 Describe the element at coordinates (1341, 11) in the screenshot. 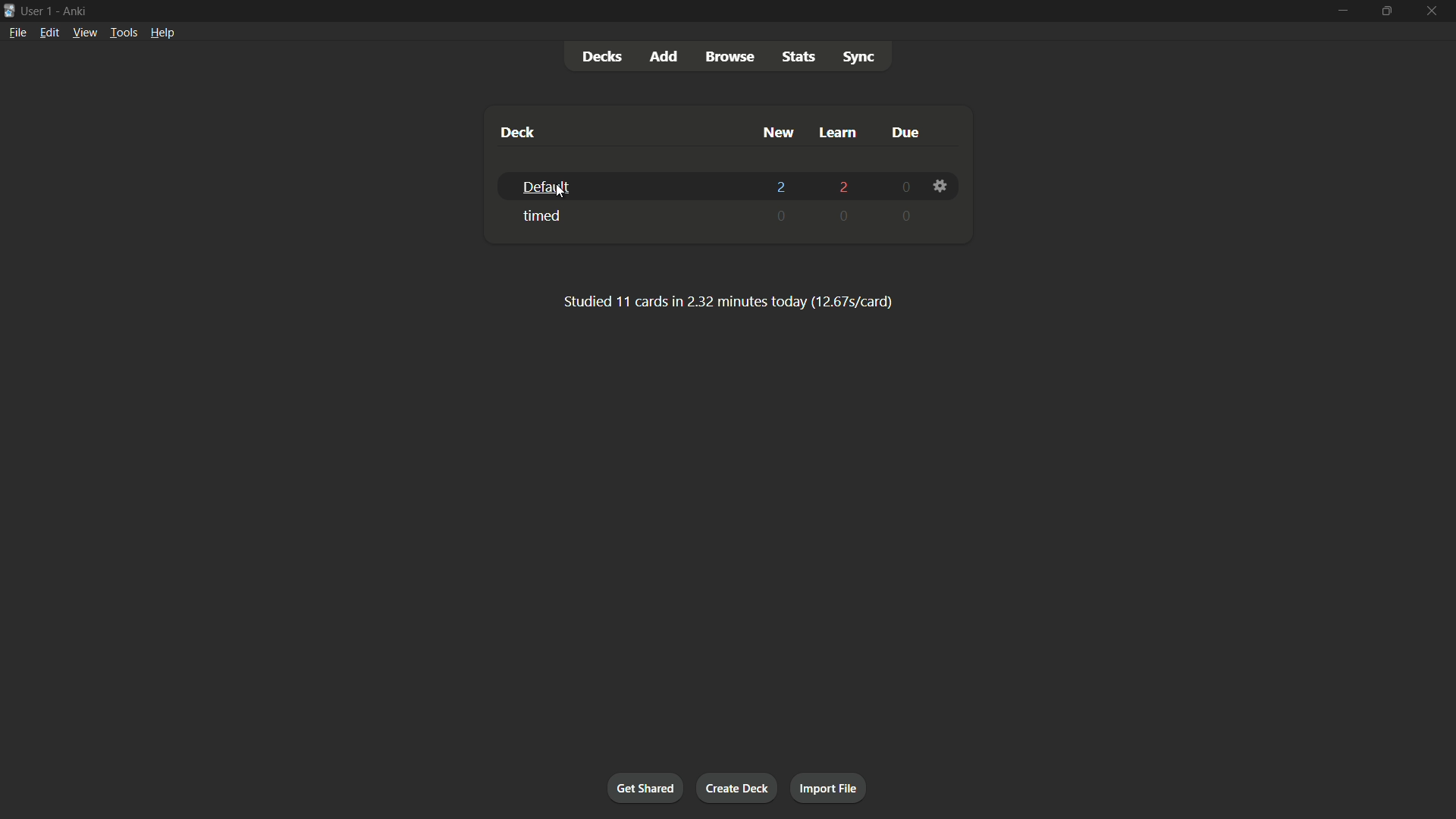

I see `minimize` at that location.